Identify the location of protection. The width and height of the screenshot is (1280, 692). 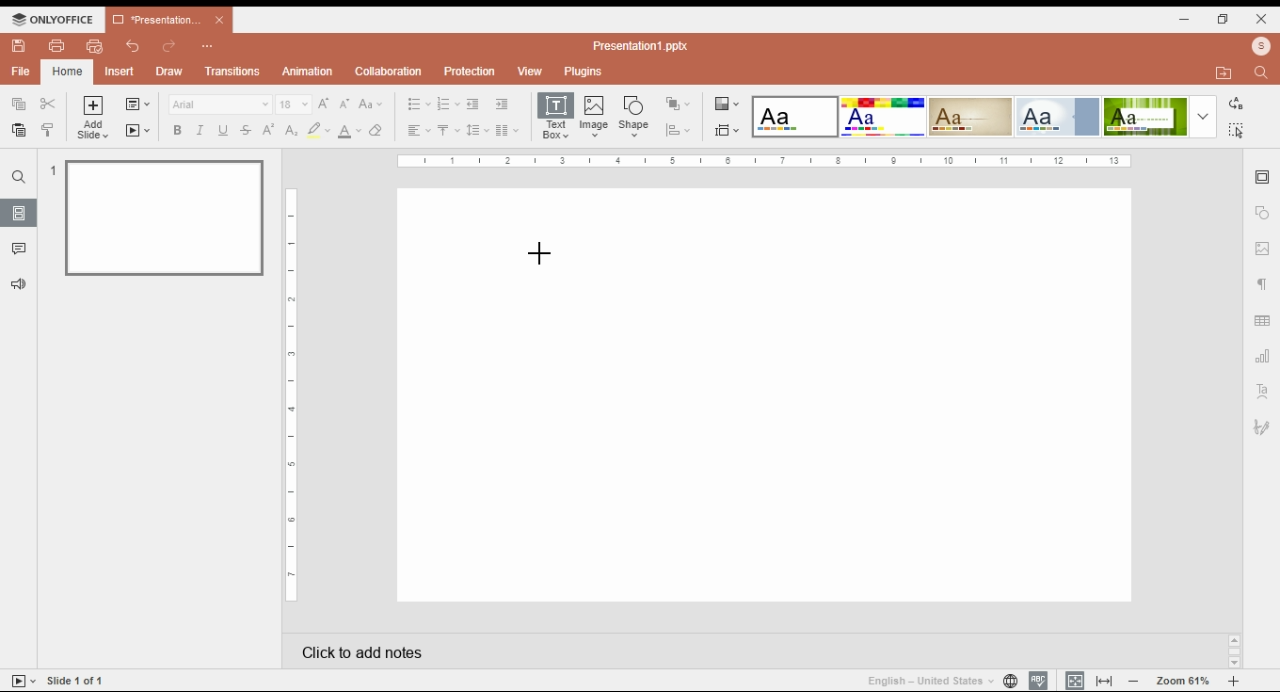
(470, 70).